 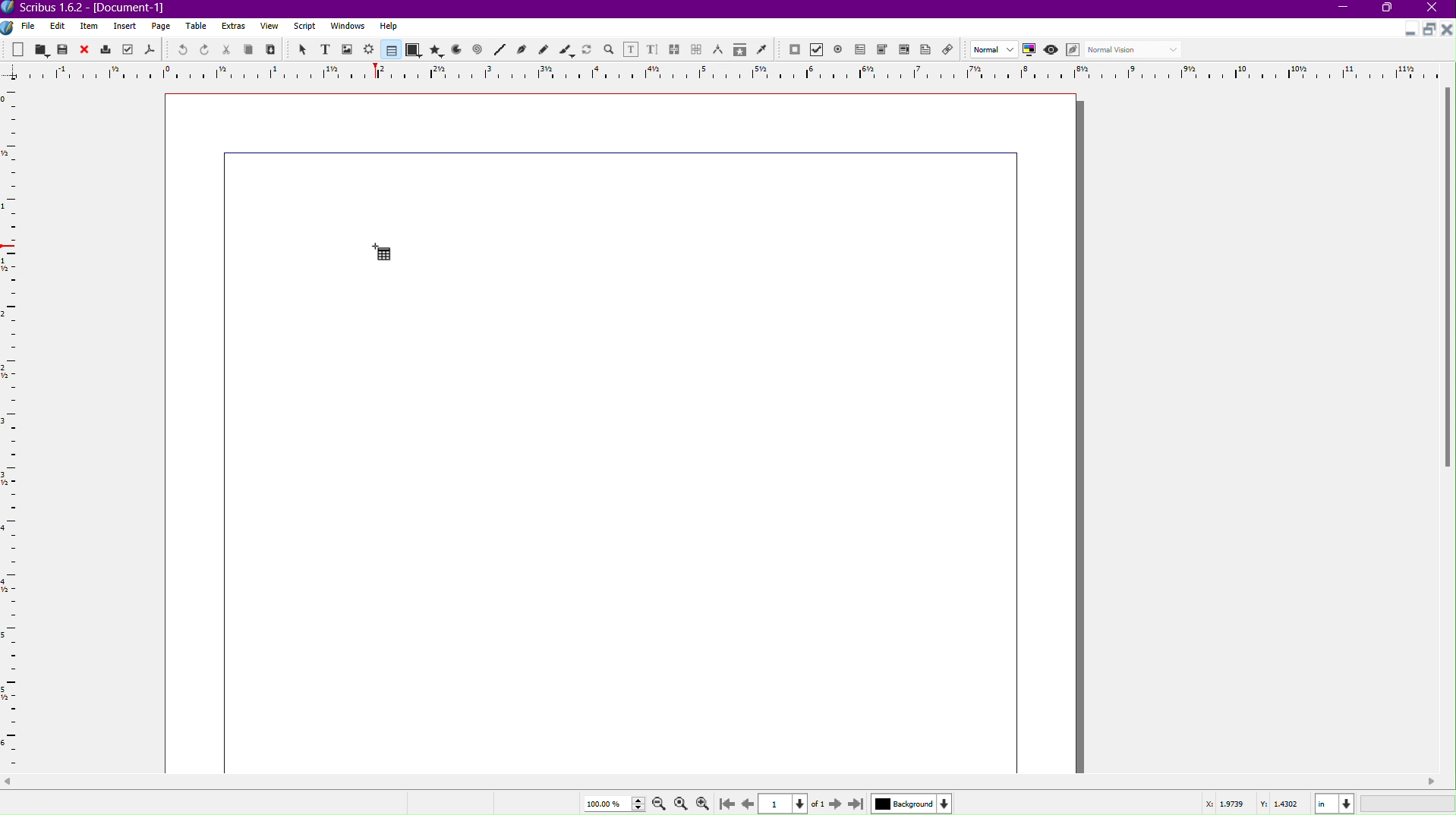 I want to click on Bezier Curve, so click(x=522, y=50).